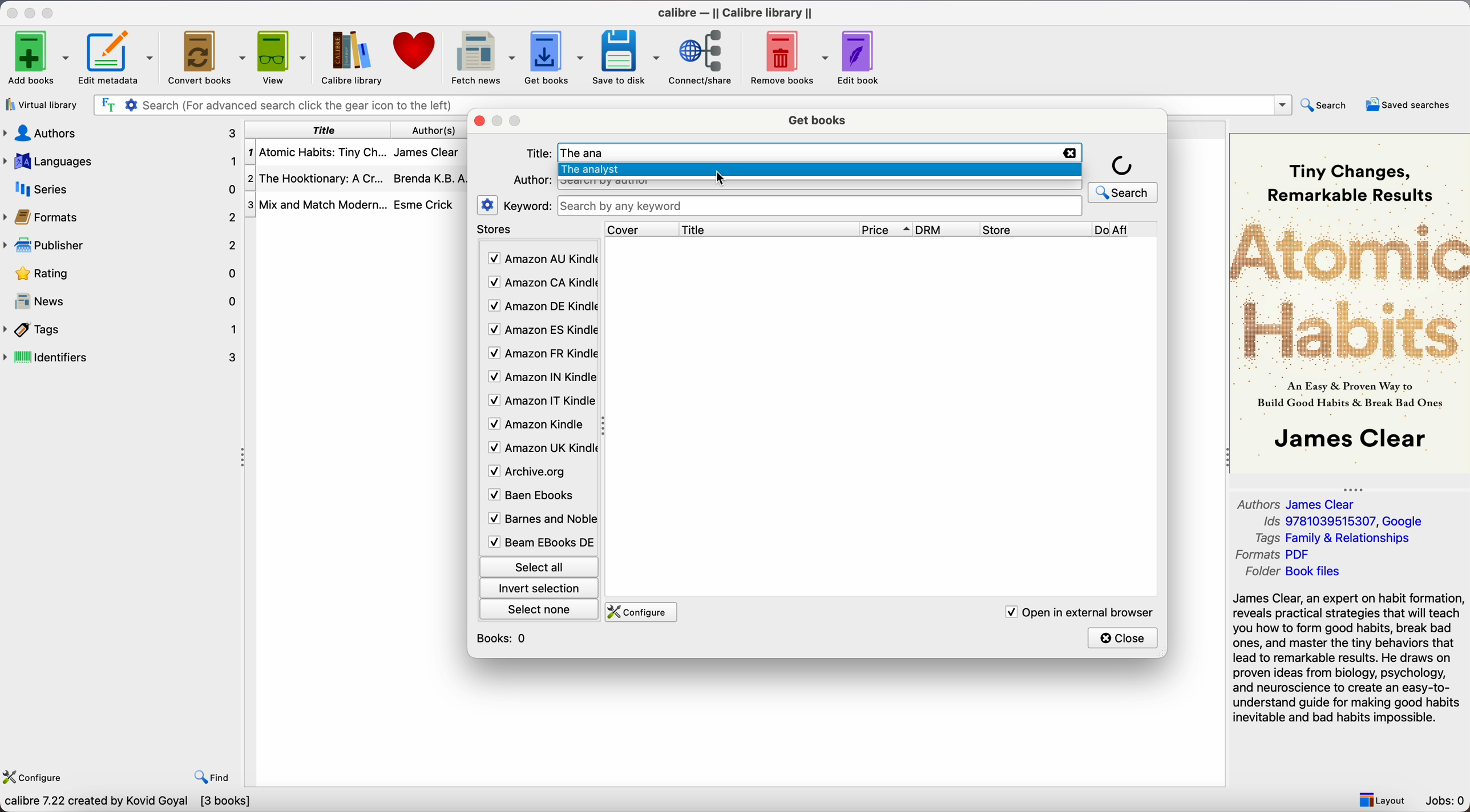 The width and height of the screenshot is (1470, 812). What do you see at coordinates (430, 155) in the screenshot?
I see `James Clear` at bounding box center [430, 155].